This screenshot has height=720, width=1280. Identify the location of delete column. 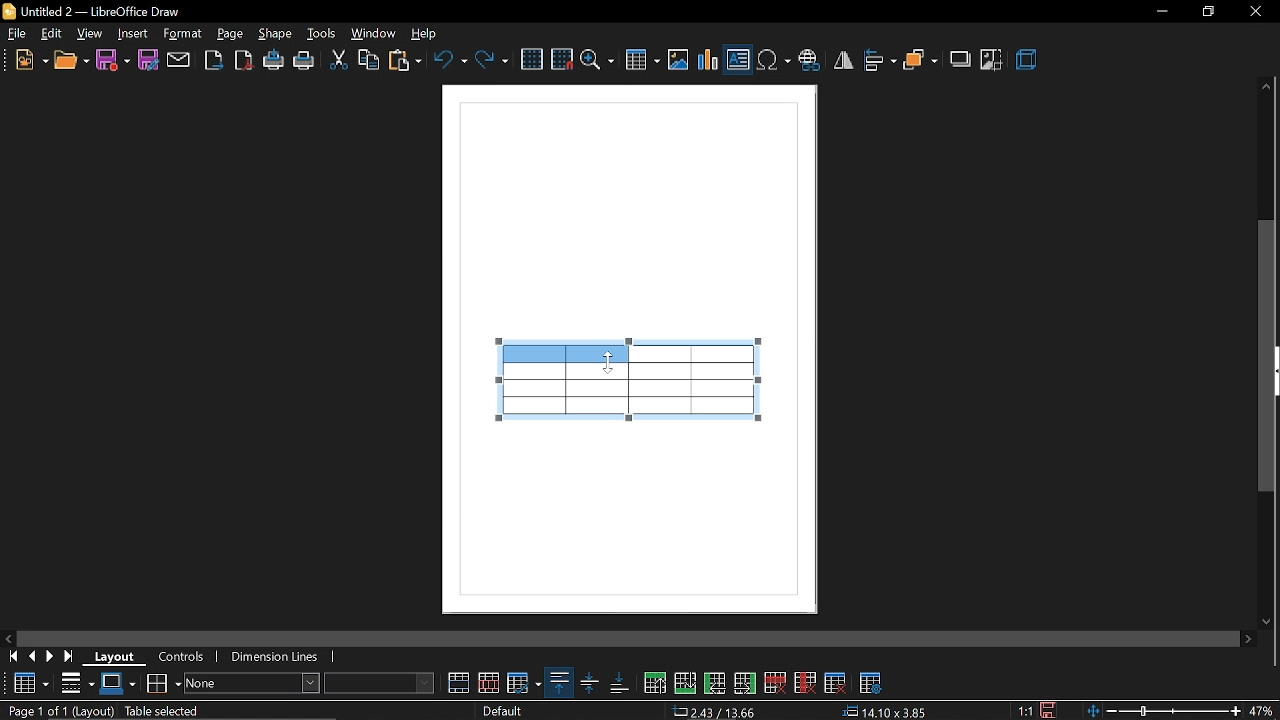
(805, 683).